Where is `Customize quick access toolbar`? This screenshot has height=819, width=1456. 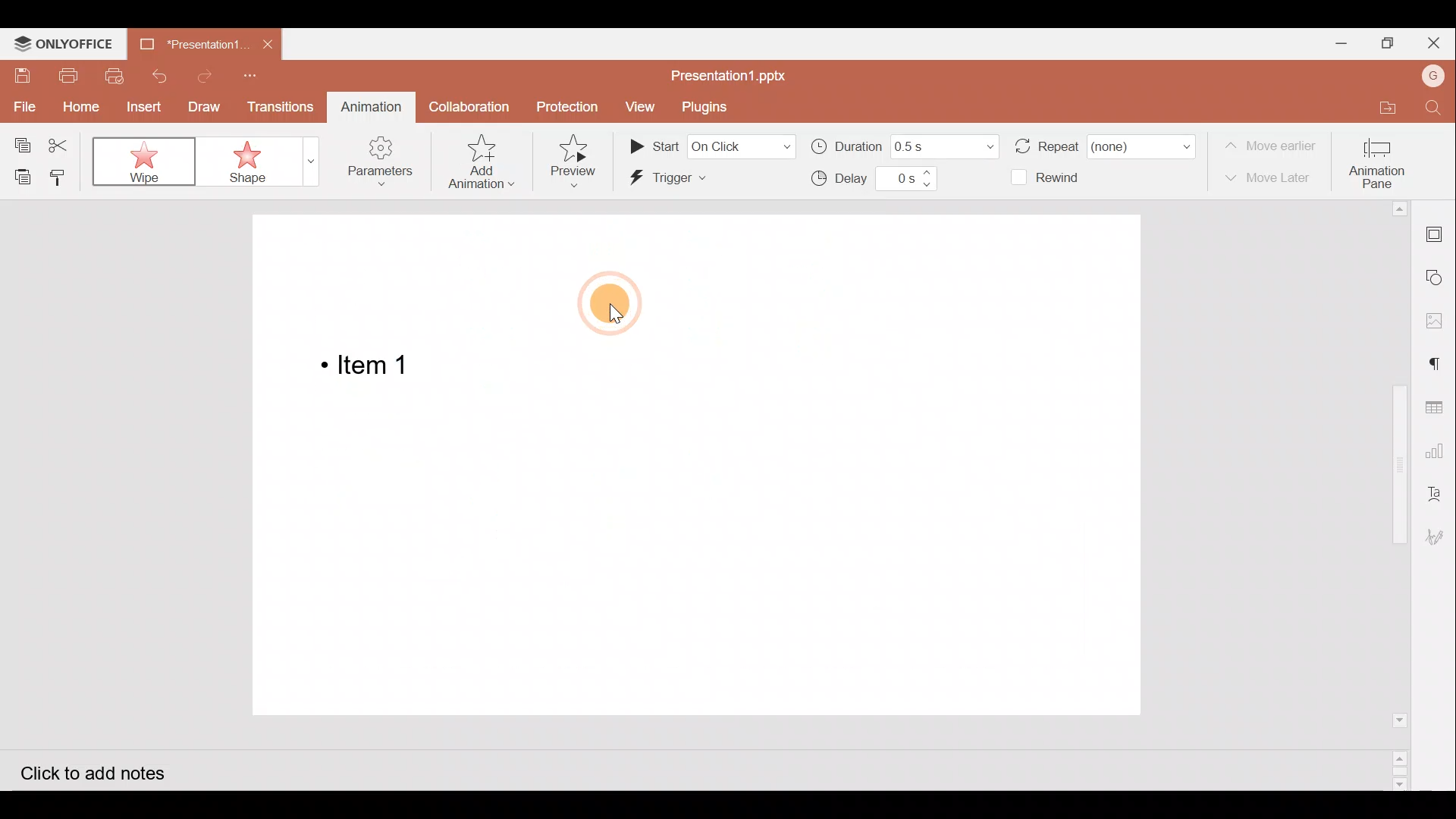
Customize quick access toolbar is located at coordinates (259, 74).